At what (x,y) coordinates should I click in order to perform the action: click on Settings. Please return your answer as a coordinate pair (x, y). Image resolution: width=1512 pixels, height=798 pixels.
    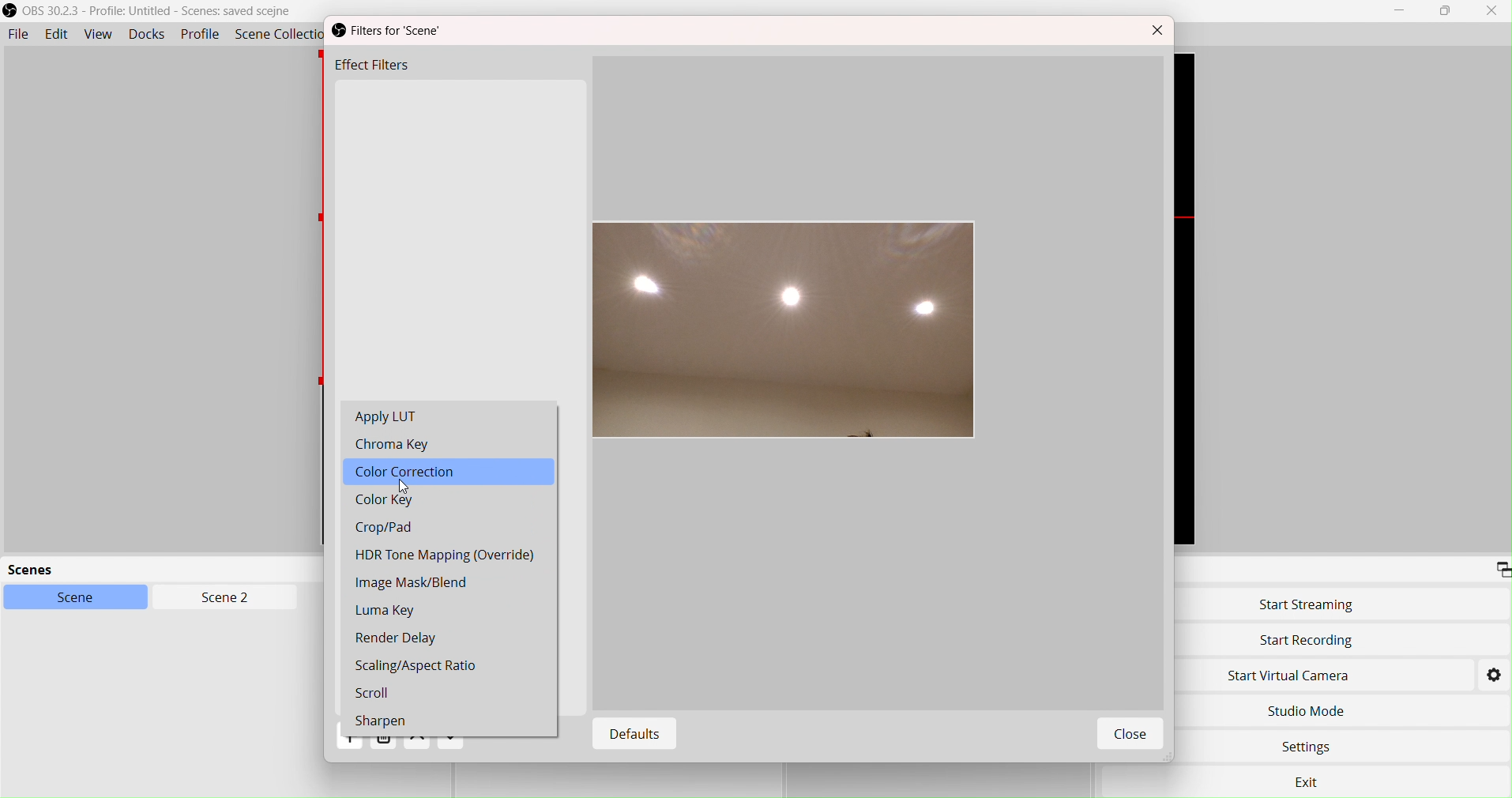
    Looking at the image, I should click on (1494, 674).